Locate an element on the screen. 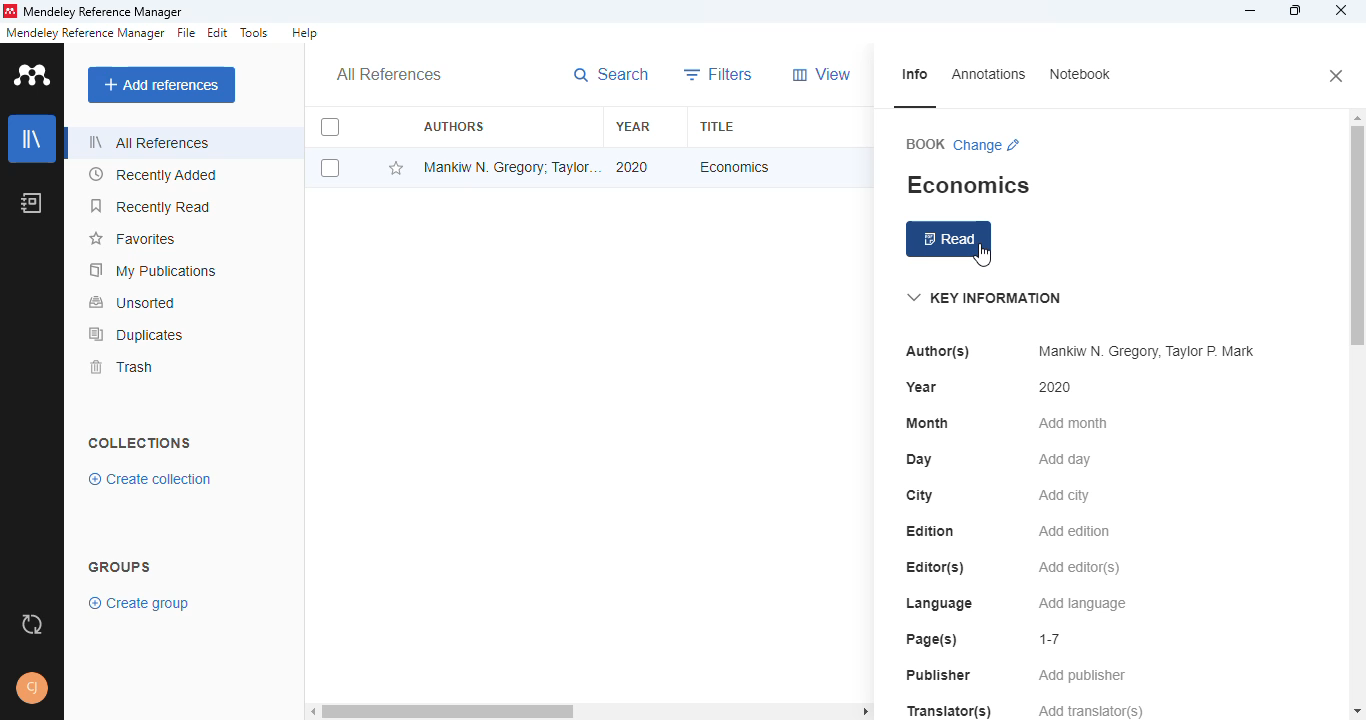 This screenshot has height=720, width=1366. editor(s) is located at coordinates (936, 568).